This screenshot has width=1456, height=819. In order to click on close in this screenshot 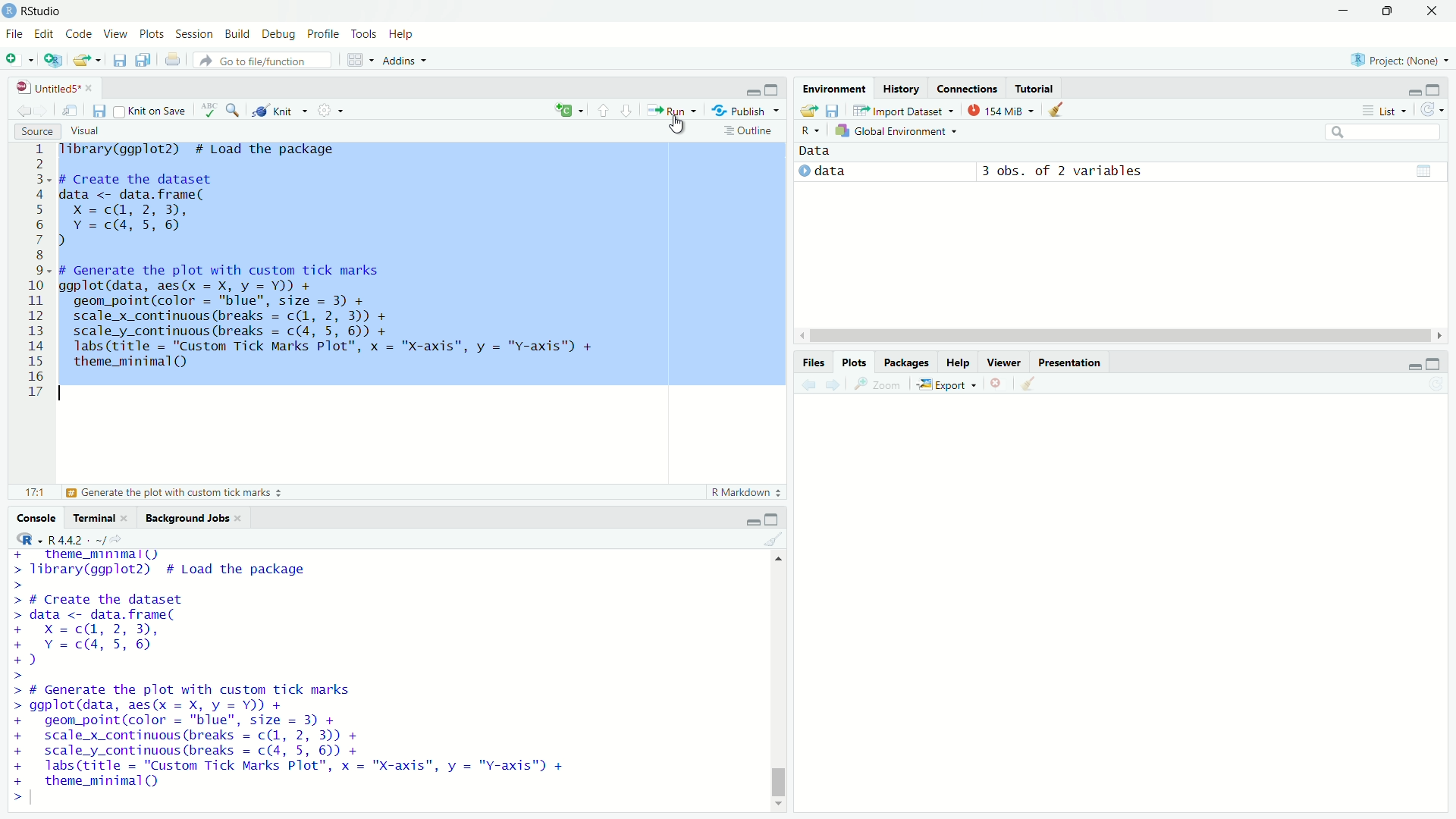, I will do `click(1432, 11)`.